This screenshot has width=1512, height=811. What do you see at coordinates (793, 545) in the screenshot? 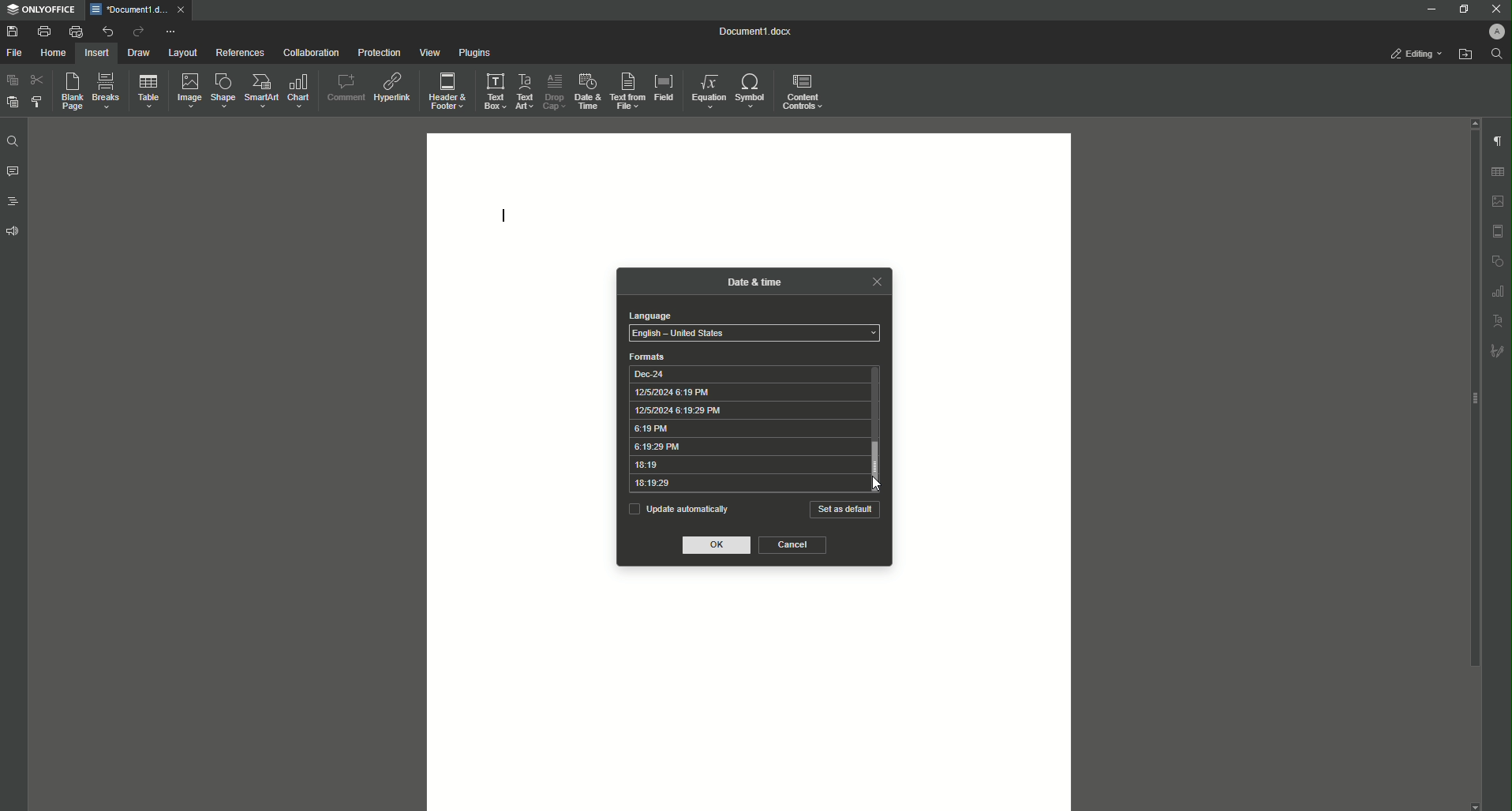
I see `Cancel` at bounding box center [793, 545].